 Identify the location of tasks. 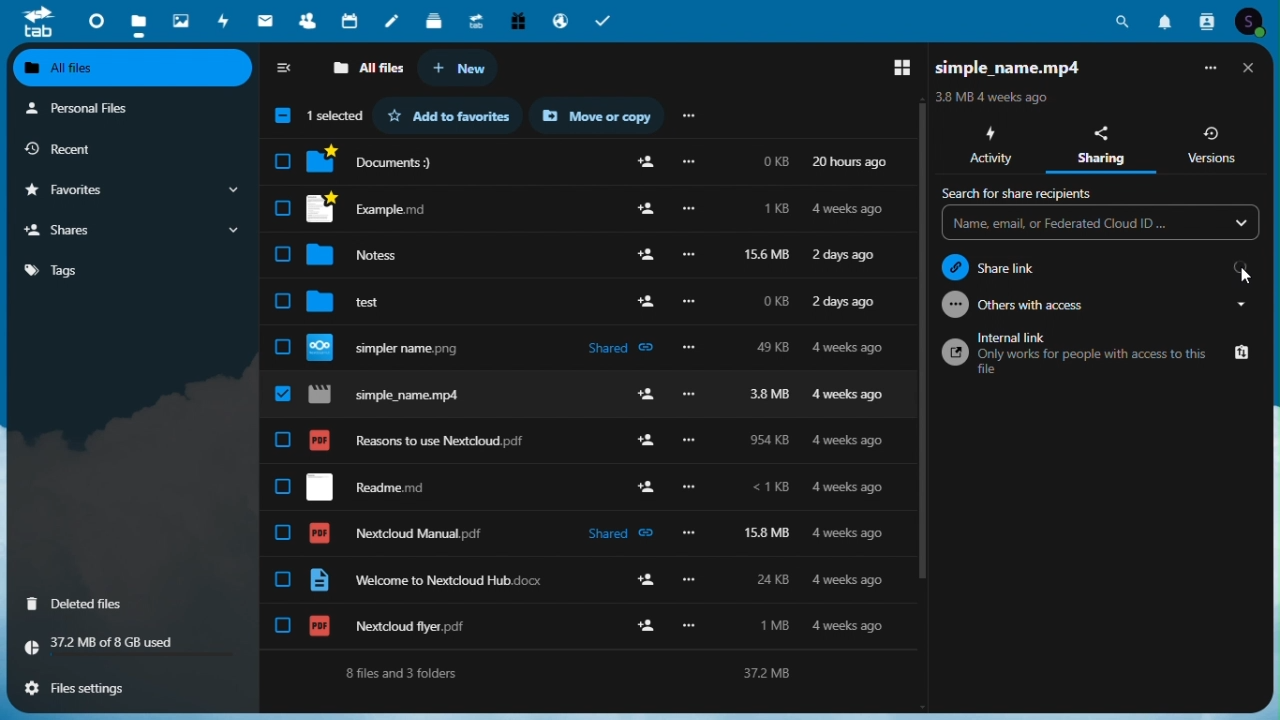
(607, 20).